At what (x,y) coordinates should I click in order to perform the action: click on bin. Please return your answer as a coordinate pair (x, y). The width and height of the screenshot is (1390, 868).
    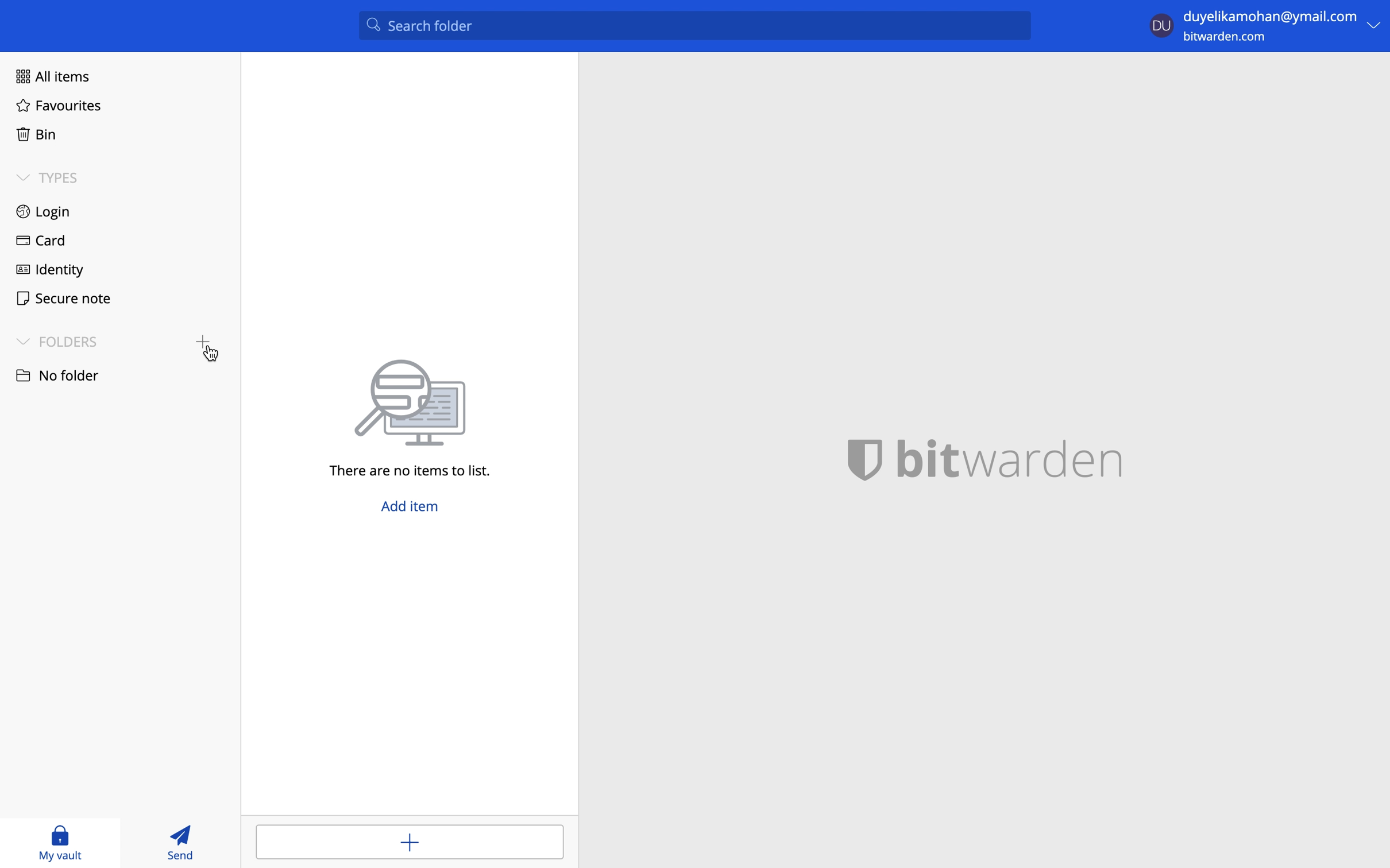
    Looking at the image, I should click on (33, 132).